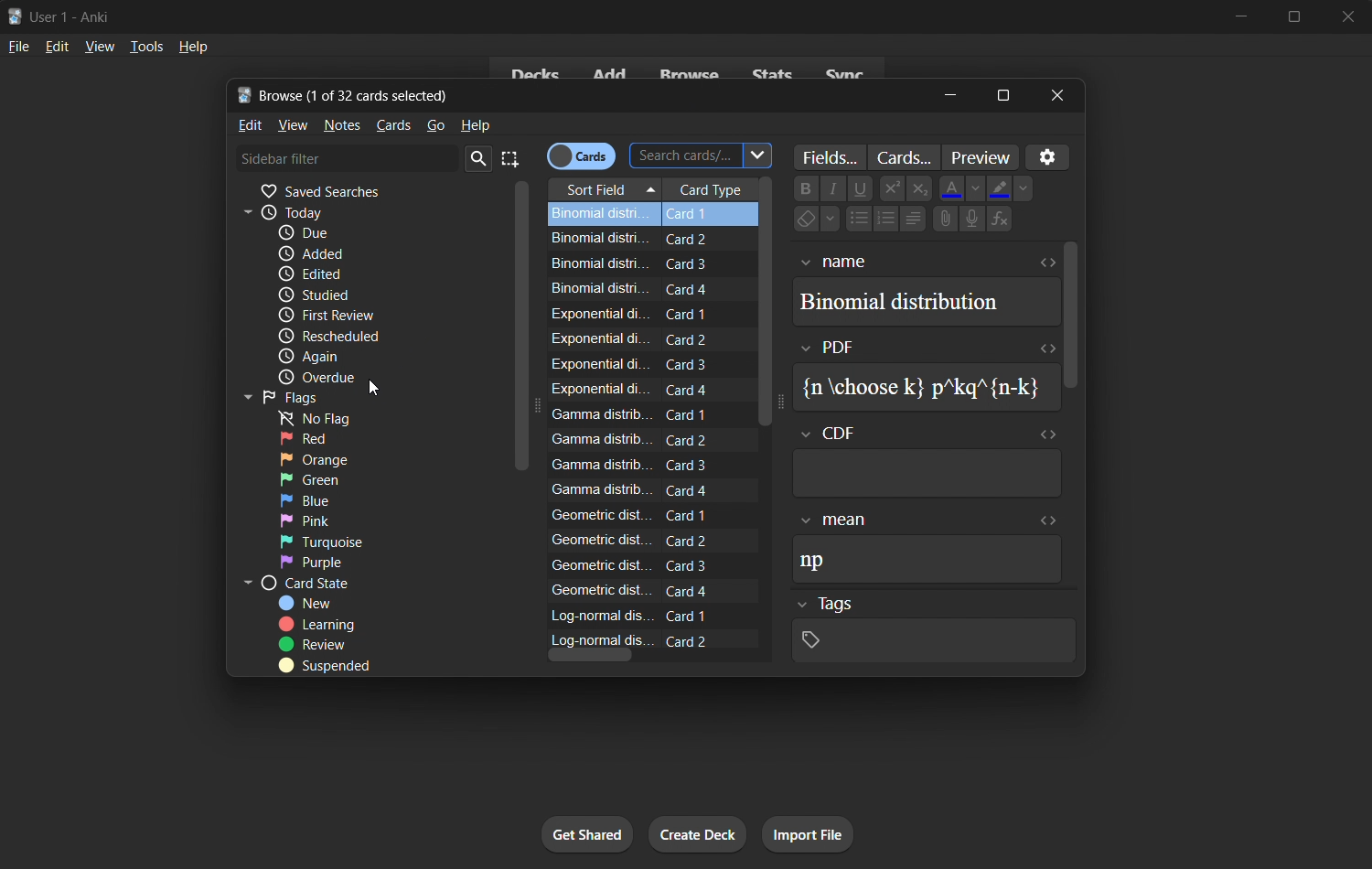 The height and width of the screenshot is (869, 1372). Describe the element at coordinates (698, 617) in the screenshot. I see `Card 1` at that location.